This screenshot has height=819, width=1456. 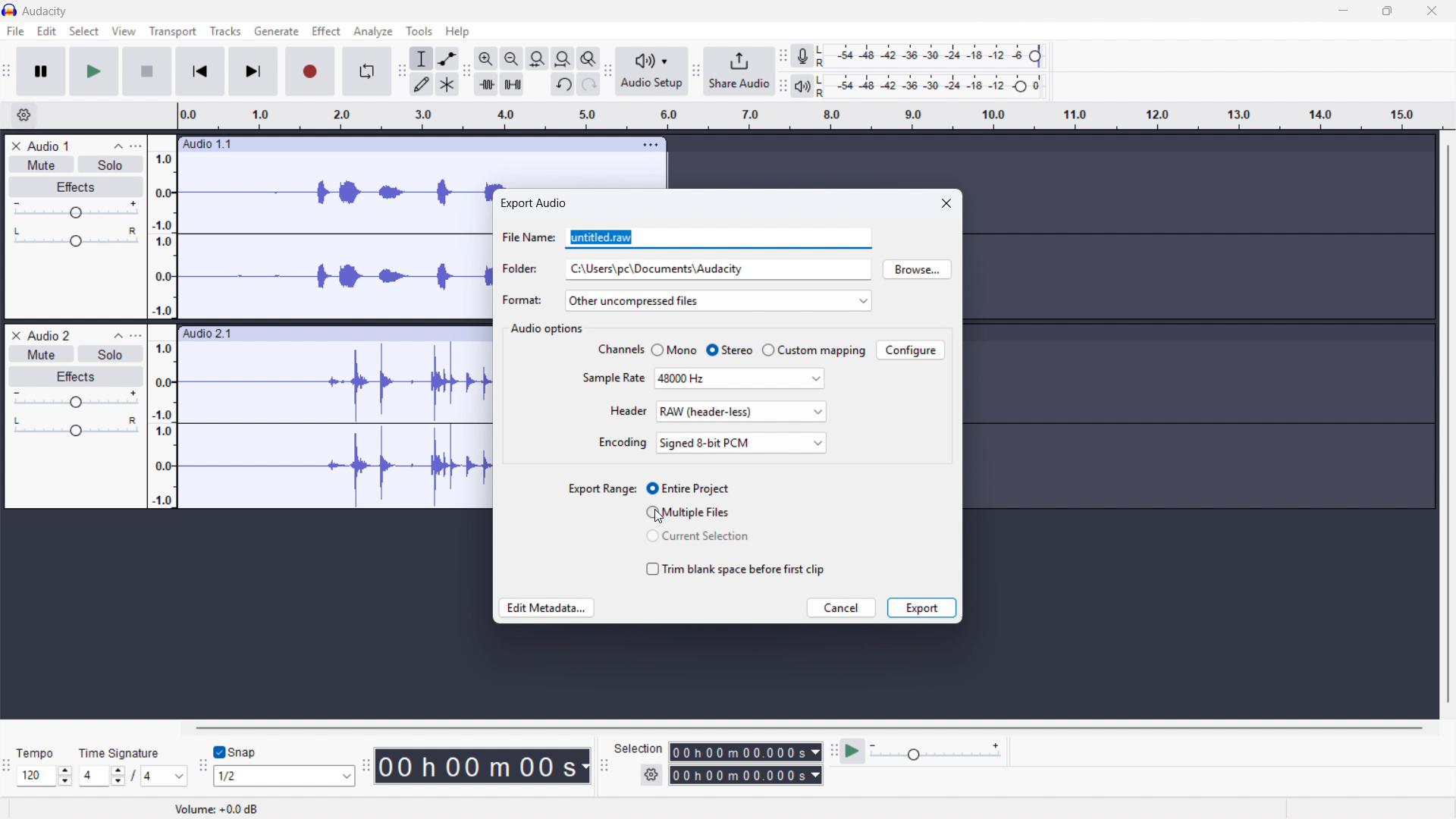 What do you see at coordinates (49, 146) in the screenshot?
I see `Audio 1` at bounding box center [49, 146].